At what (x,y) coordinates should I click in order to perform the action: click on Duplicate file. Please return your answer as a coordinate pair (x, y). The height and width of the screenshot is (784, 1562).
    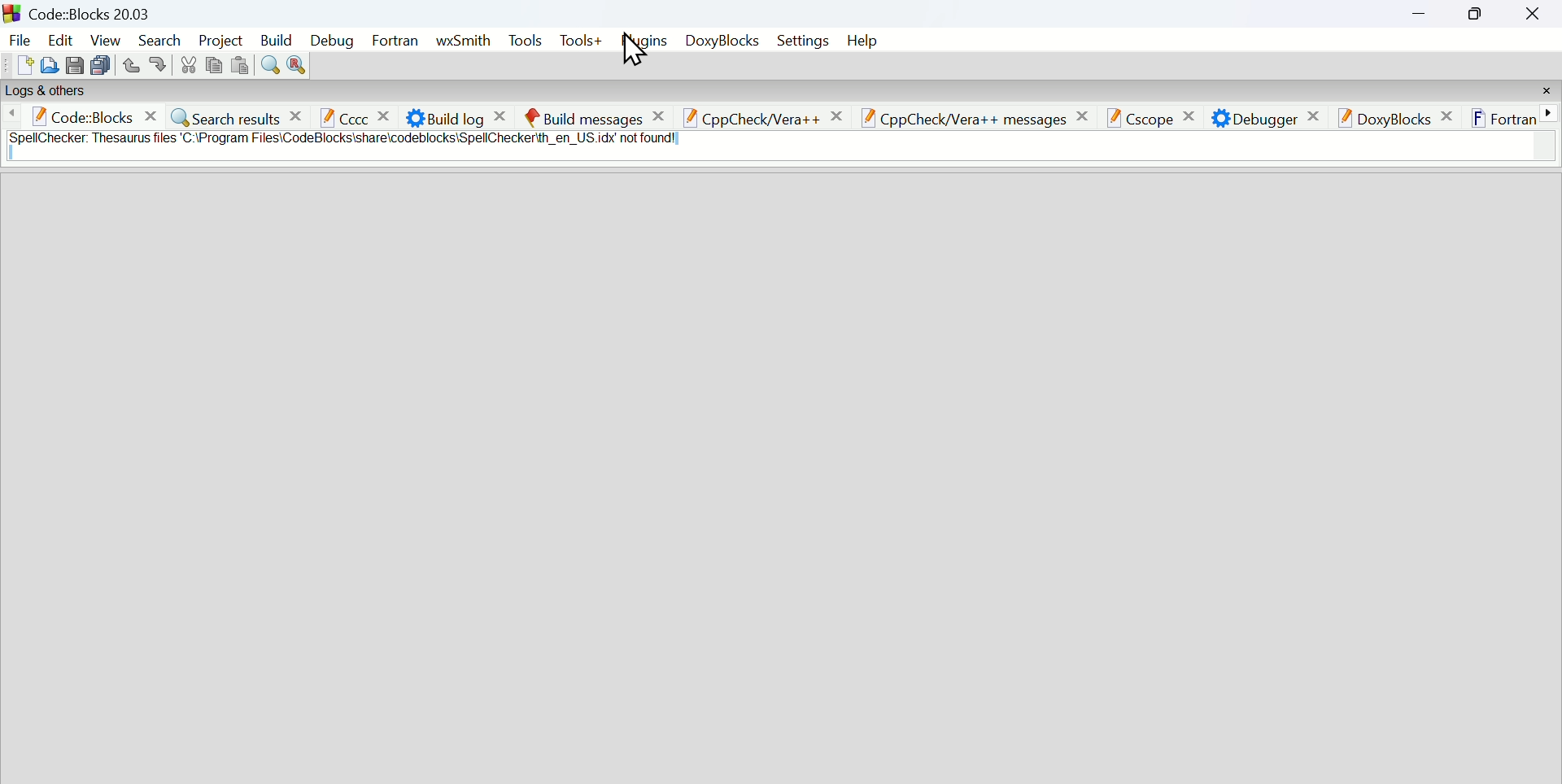
    Looking at the image, I should click on (101, 64).